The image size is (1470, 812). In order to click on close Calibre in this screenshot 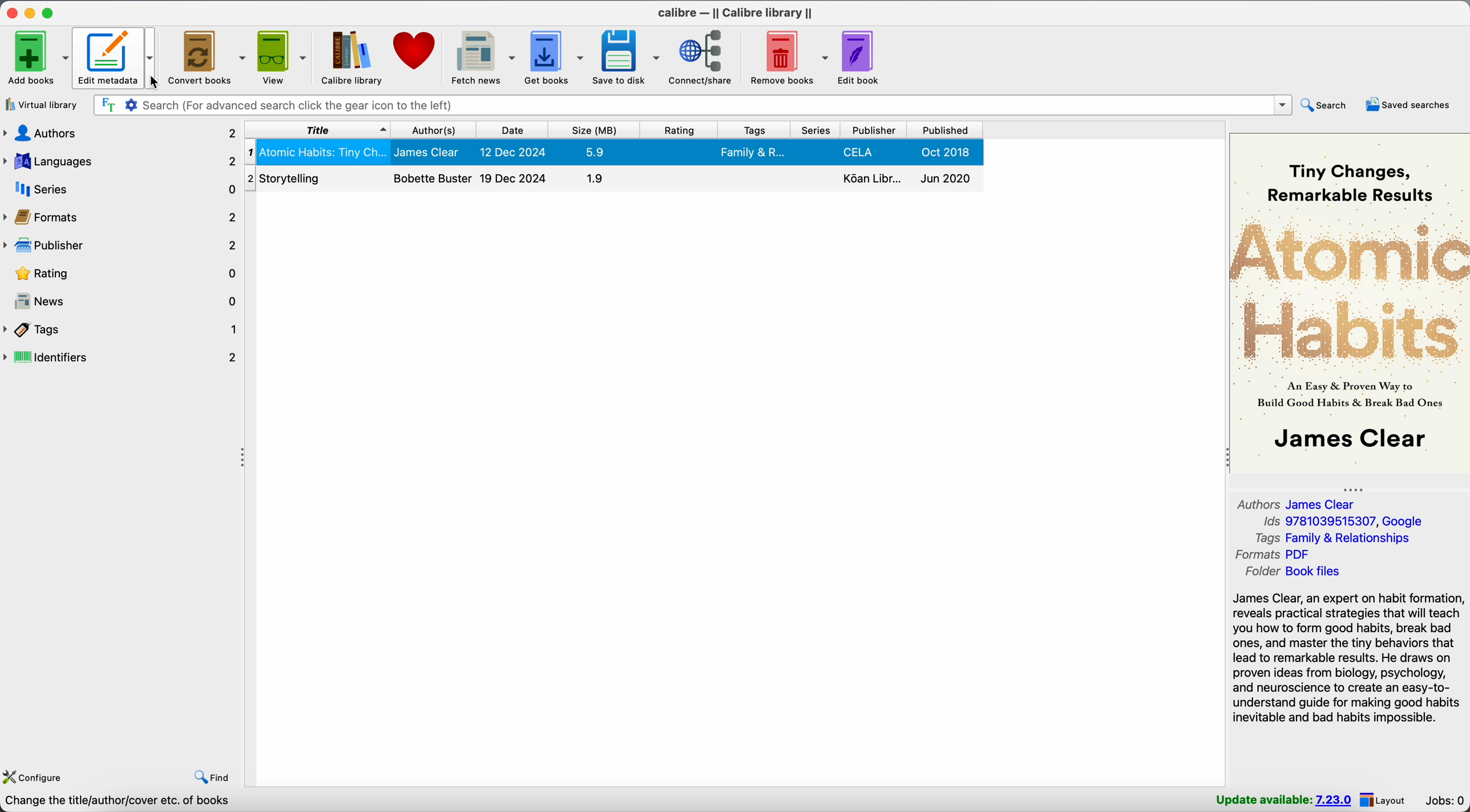, I will do `click(10, 11)`.